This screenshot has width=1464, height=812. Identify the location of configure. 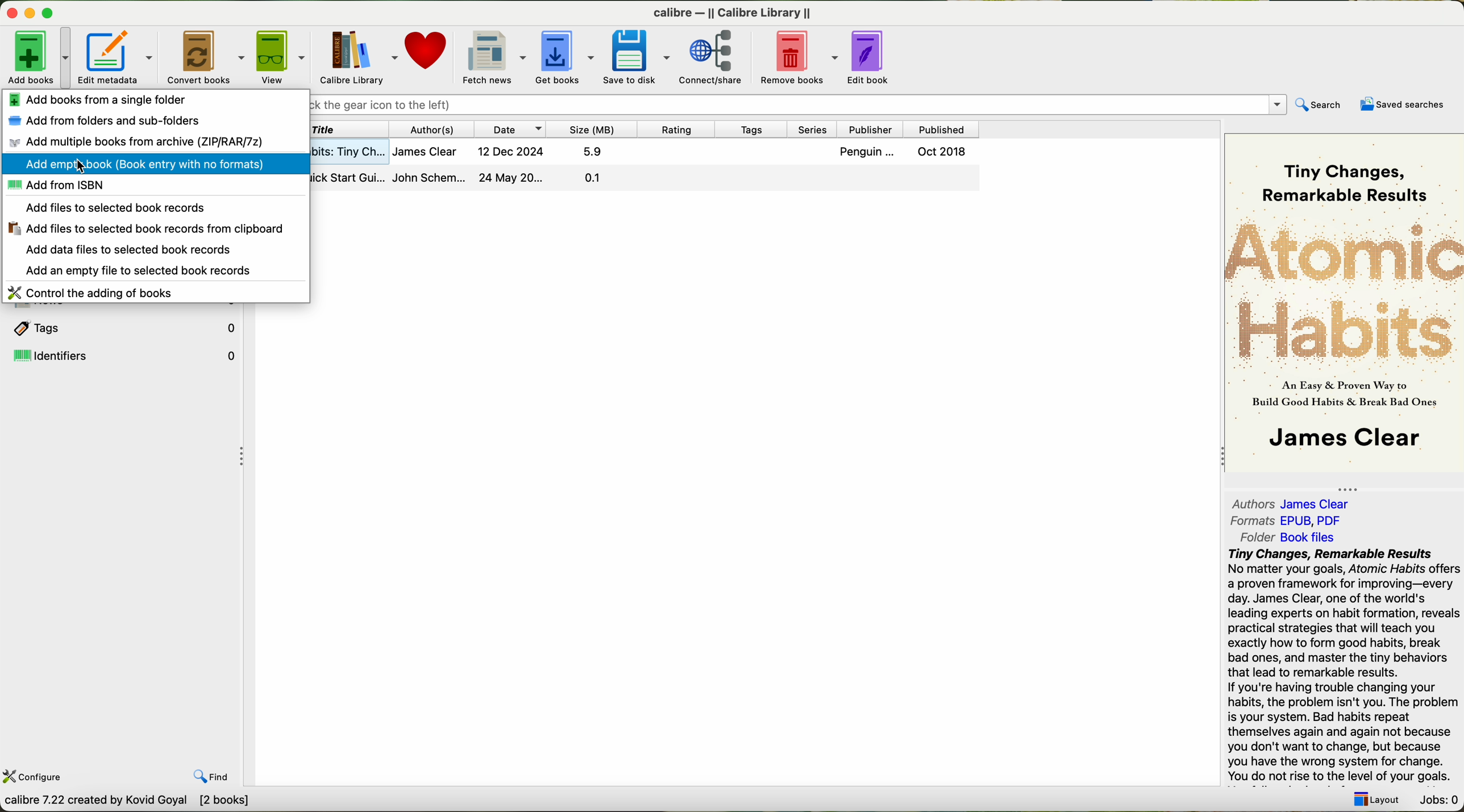
(35, 777).